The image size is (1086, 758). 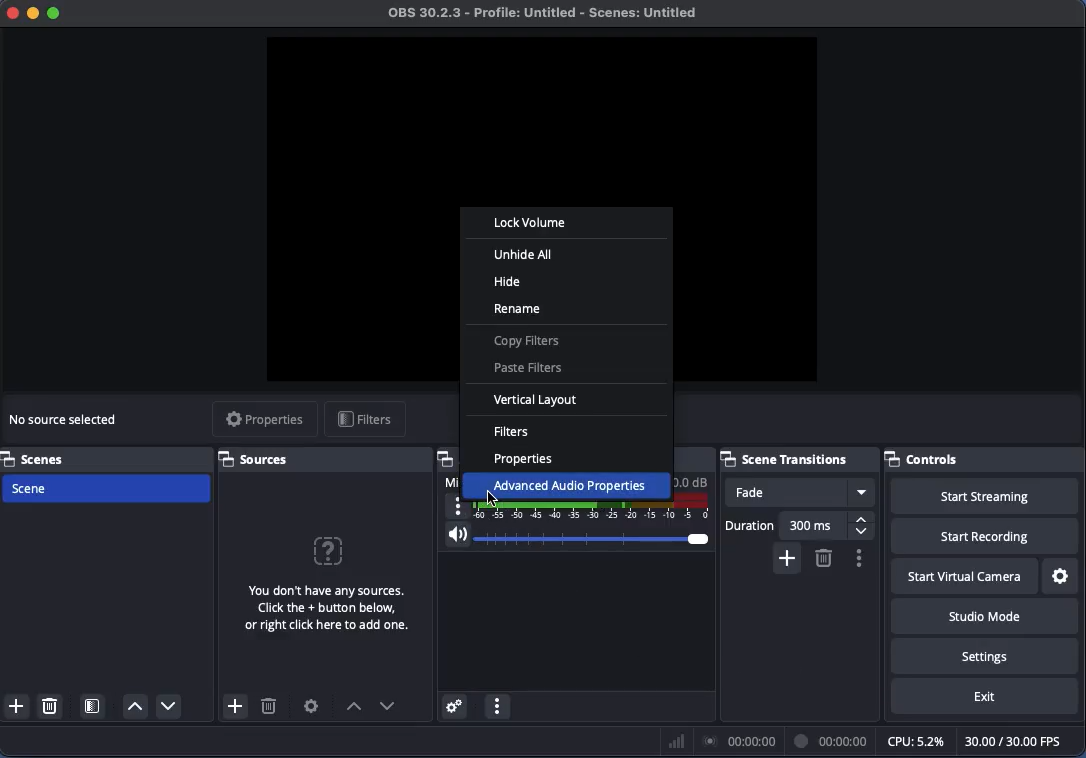 I want to click on Delete, so click(x=52, y=705).